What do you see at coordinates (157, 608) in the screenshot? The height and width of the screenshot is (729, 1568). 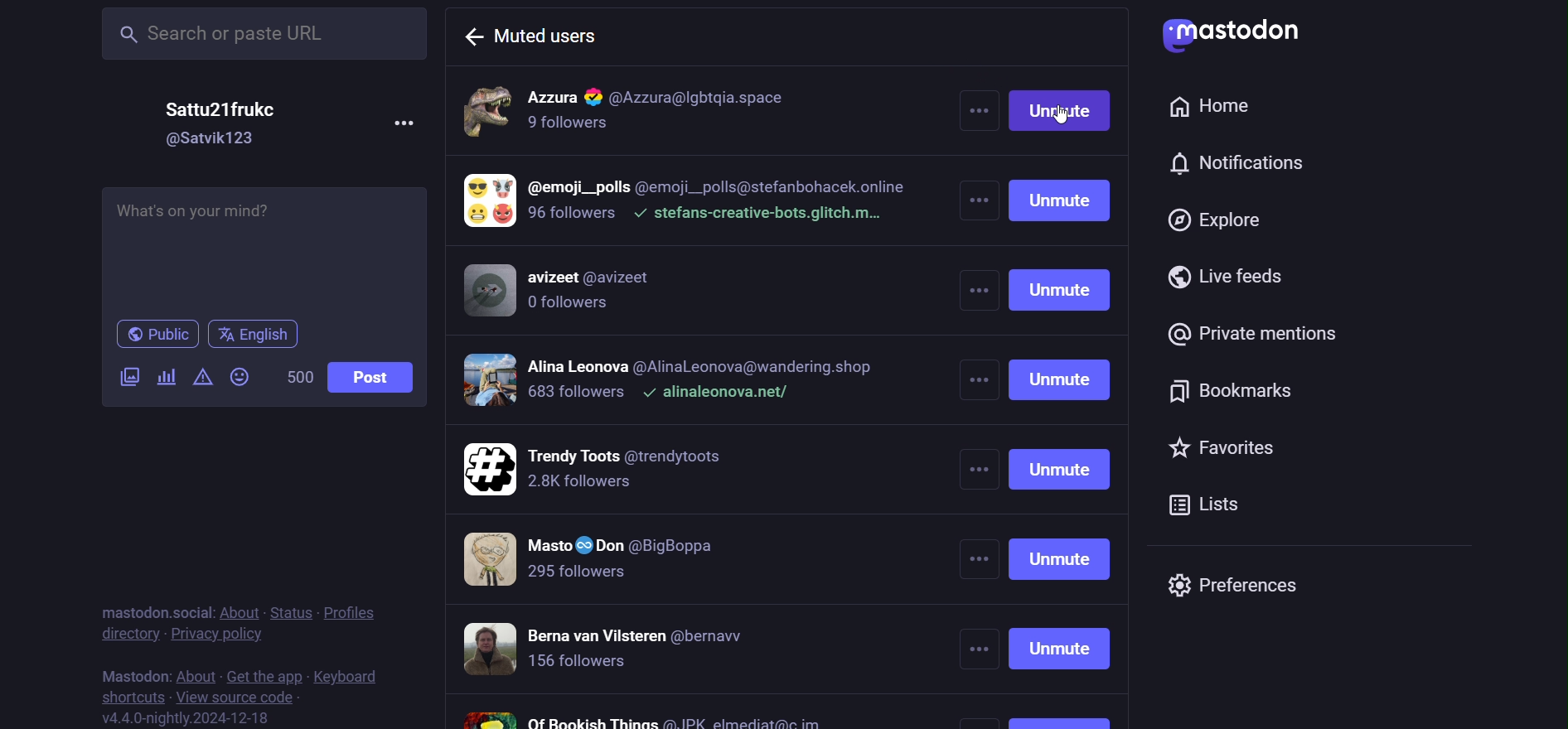 I see `mastodon social` at bounding box center [157, 608].